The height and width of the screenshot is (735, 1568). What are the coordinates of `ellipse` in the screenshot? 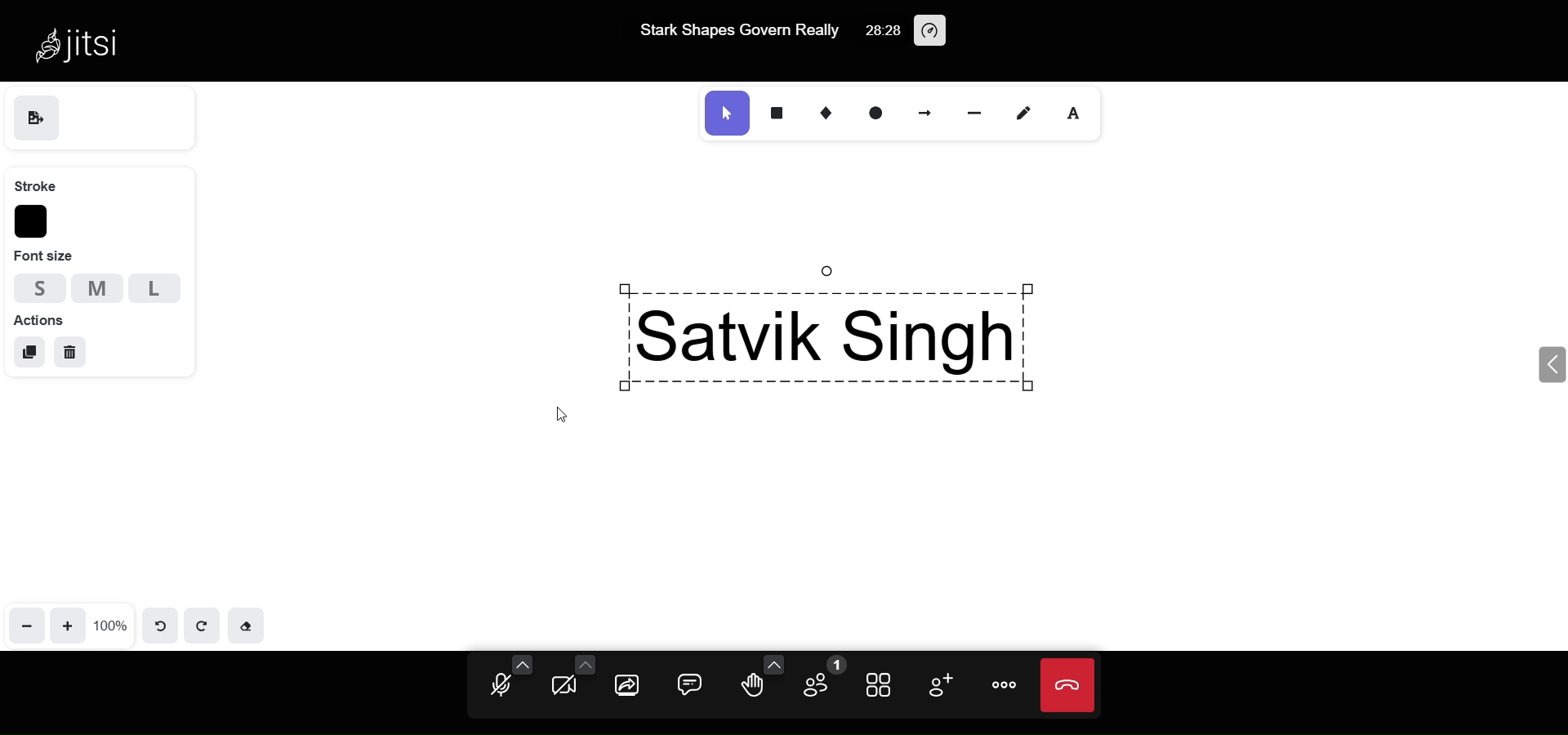 It's located at (871, 112).